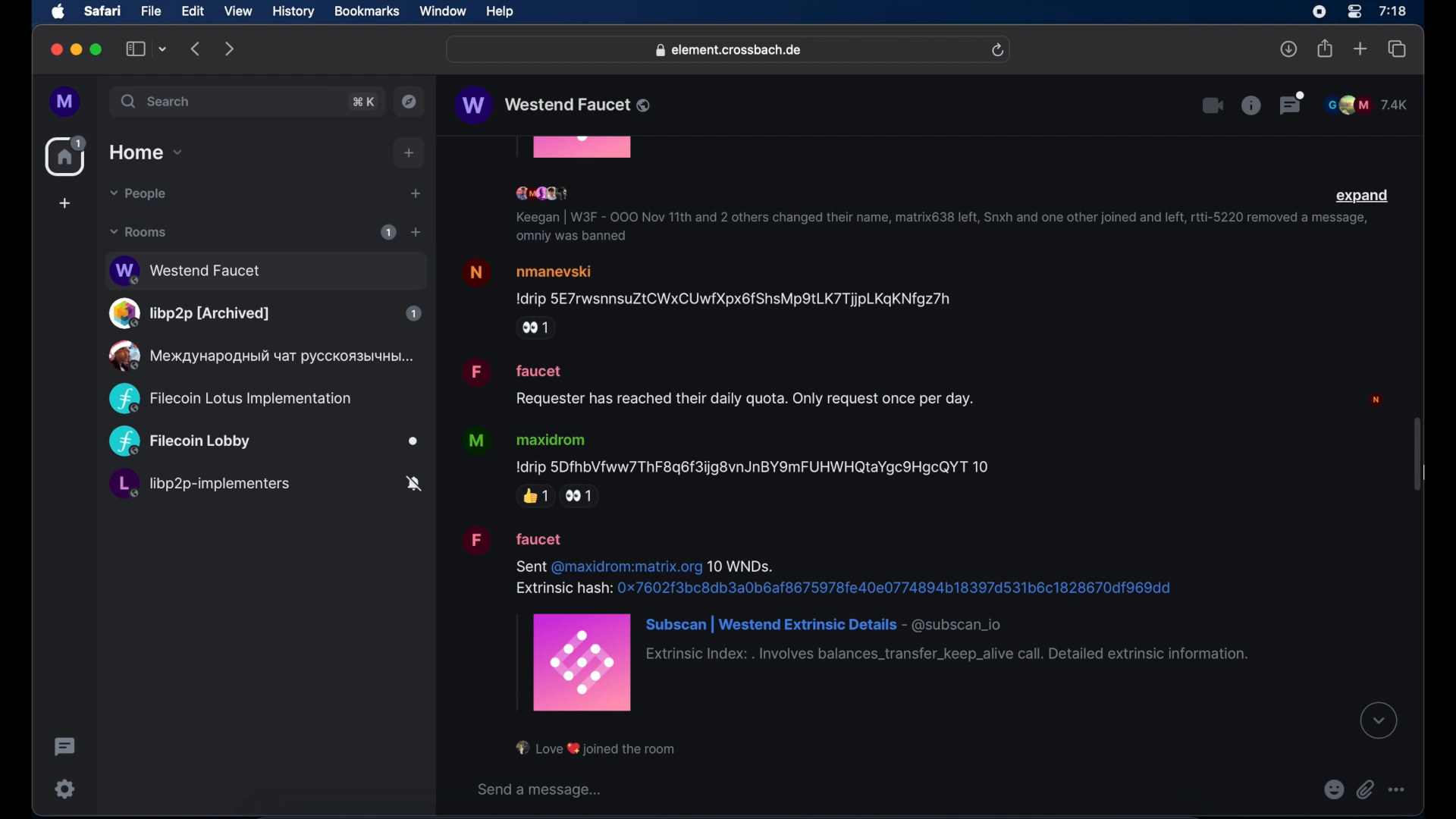 The width and height of the screenshot is (1456, 819). What do you see at coordinates (720, 383) in the screenshot?
I see `message` at bounding box center [720, 383].